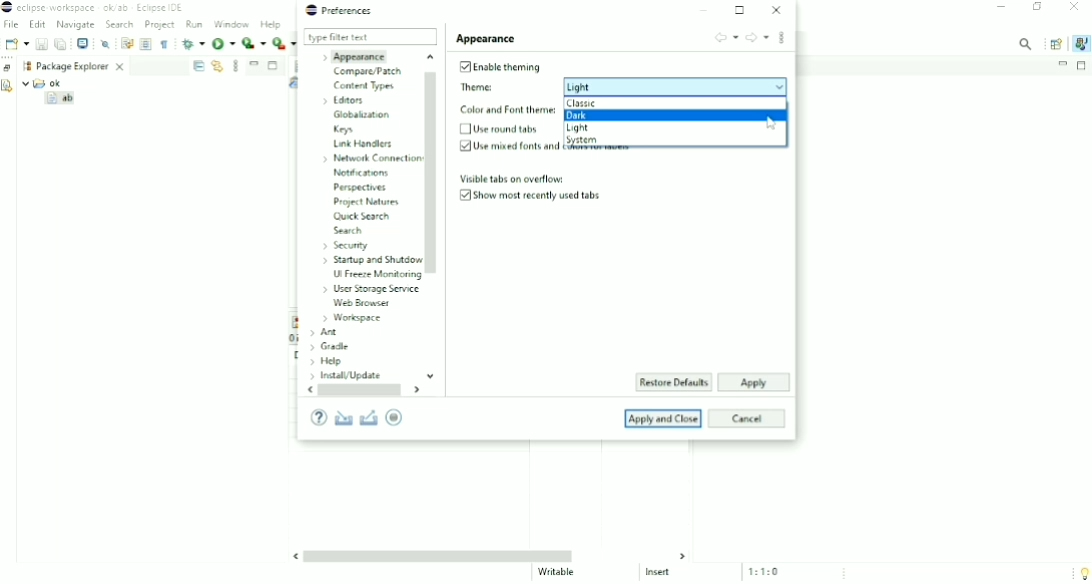 Image resolution: width=1092 pixels, height=584 pixels. I want to click on Appearance, so click(487, 38).